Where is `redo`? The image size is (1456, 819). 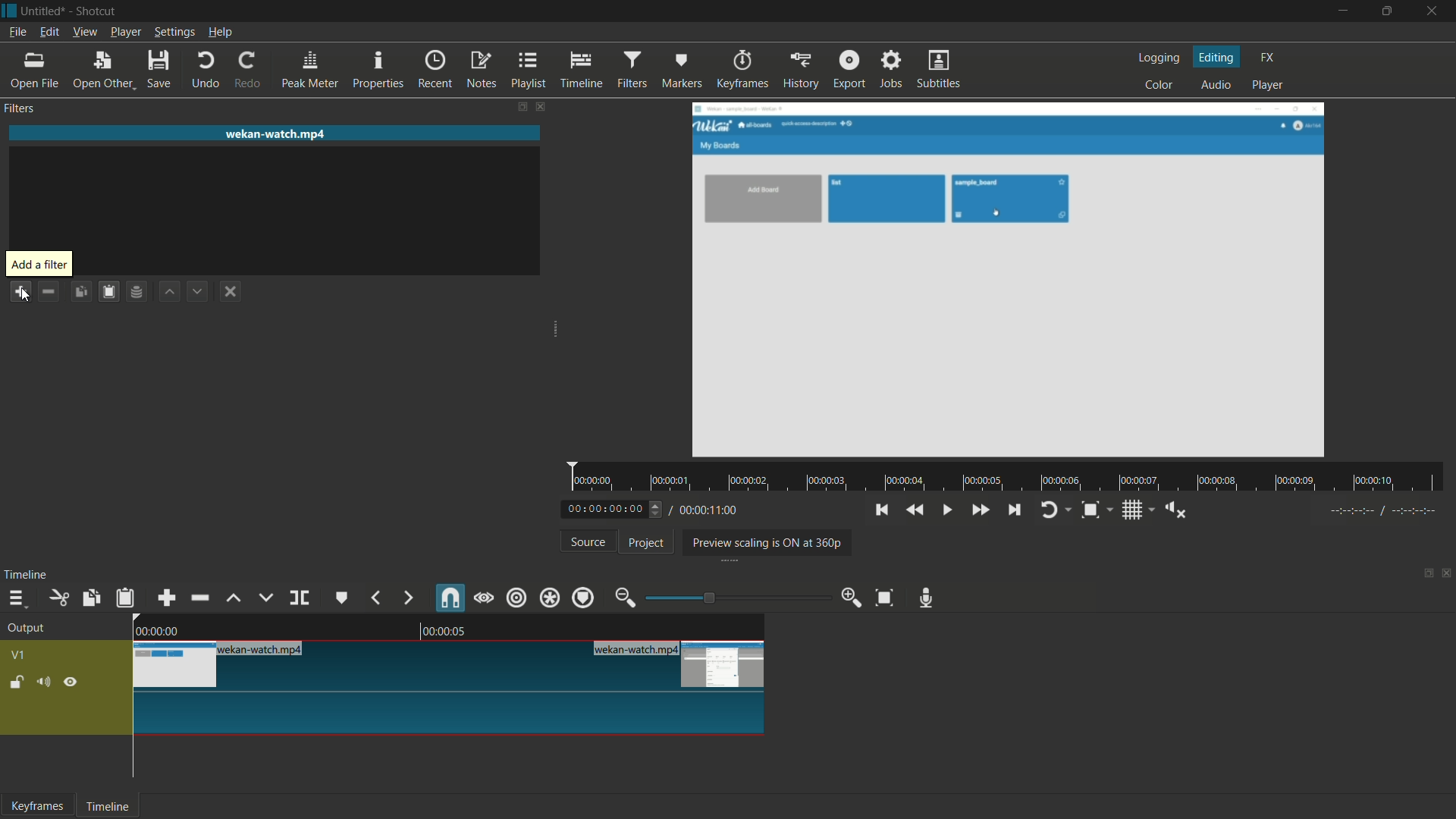 redo is located at coordinates (250, 70).